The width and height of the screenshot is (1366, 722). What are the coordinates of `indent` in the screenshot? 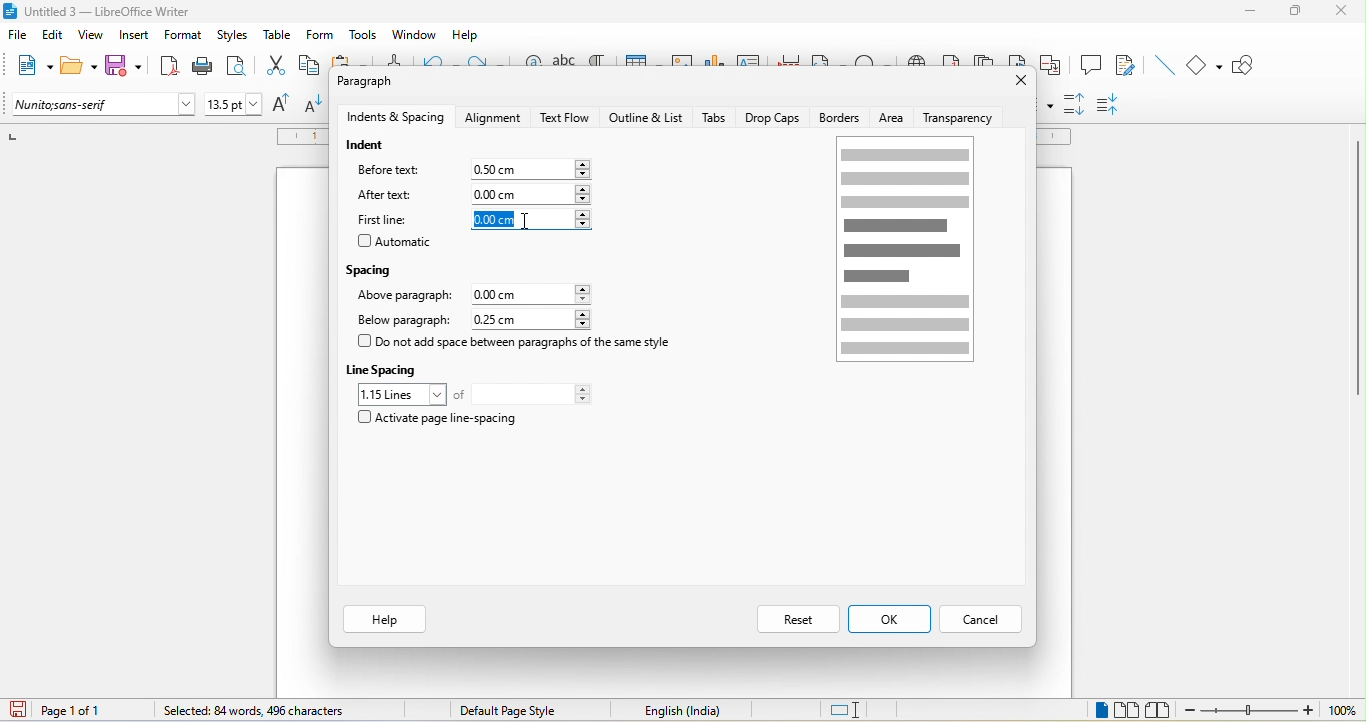 It's located at (371, 147).